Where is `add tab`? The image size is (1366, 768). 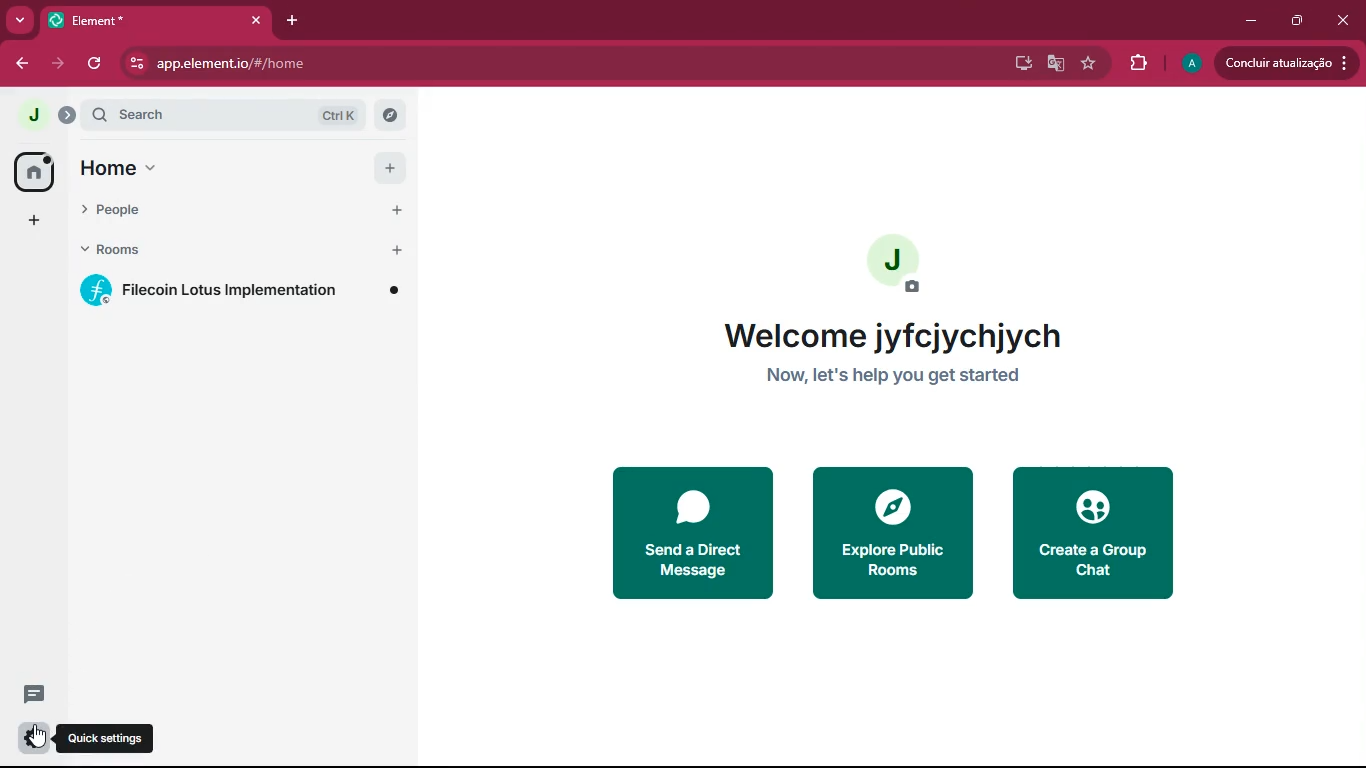 add tab is located at coordinates (294, 20).